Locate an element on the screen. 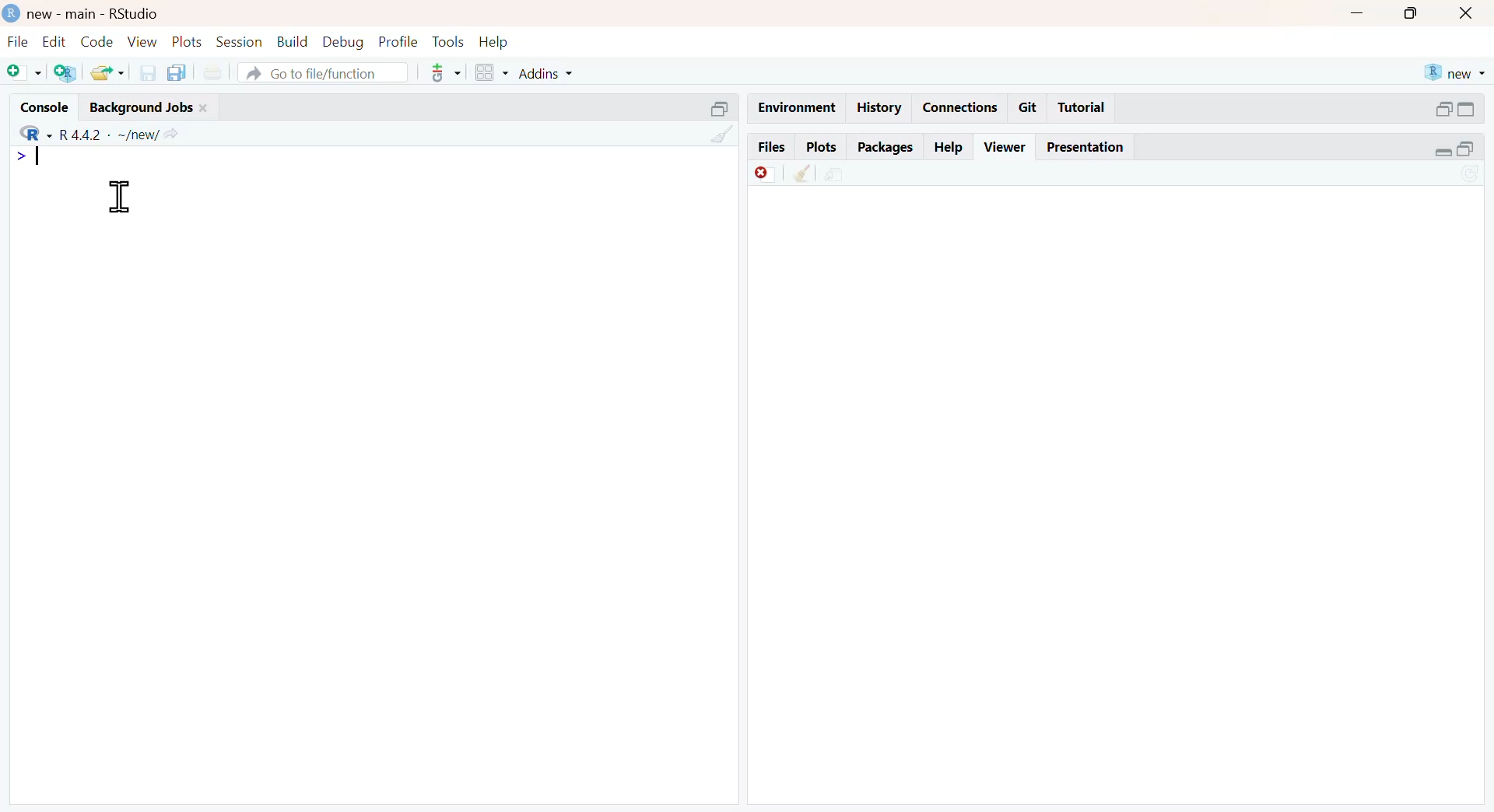  R 4.4.2 ~/new/ is located at coordinates (110, 135).